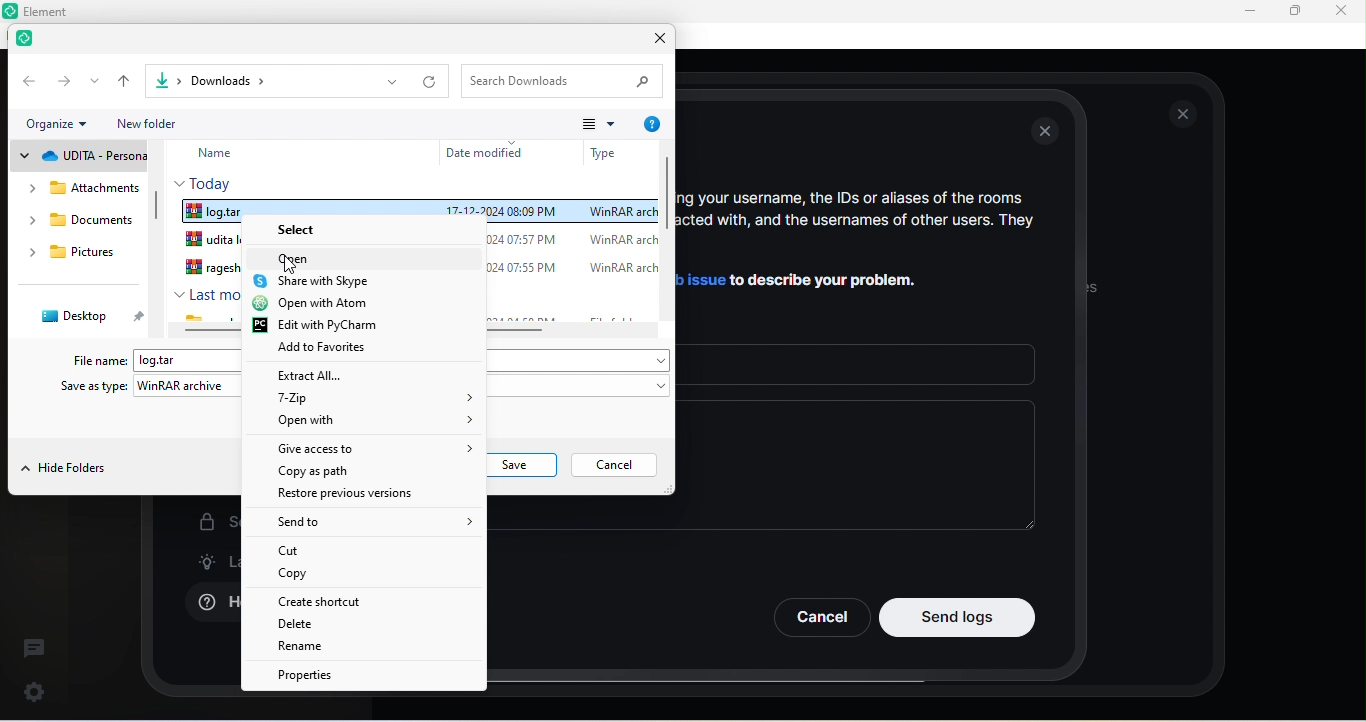  What do you see at coordinates (208, 182) in the screenshot?
I see `Today` at bounding box center [208, 182].